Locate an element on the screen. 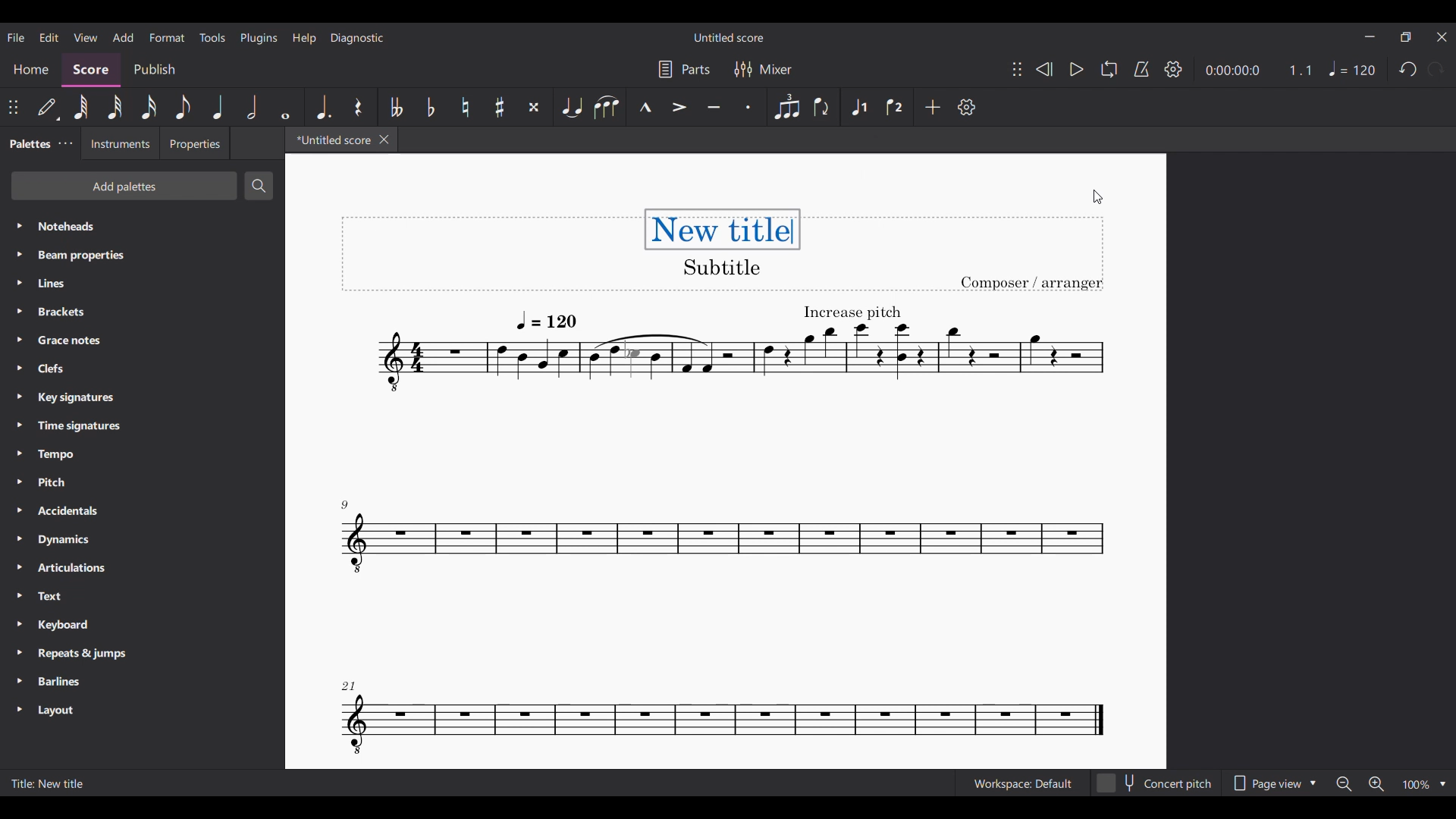  Home section is located at coordinates (31, 70).